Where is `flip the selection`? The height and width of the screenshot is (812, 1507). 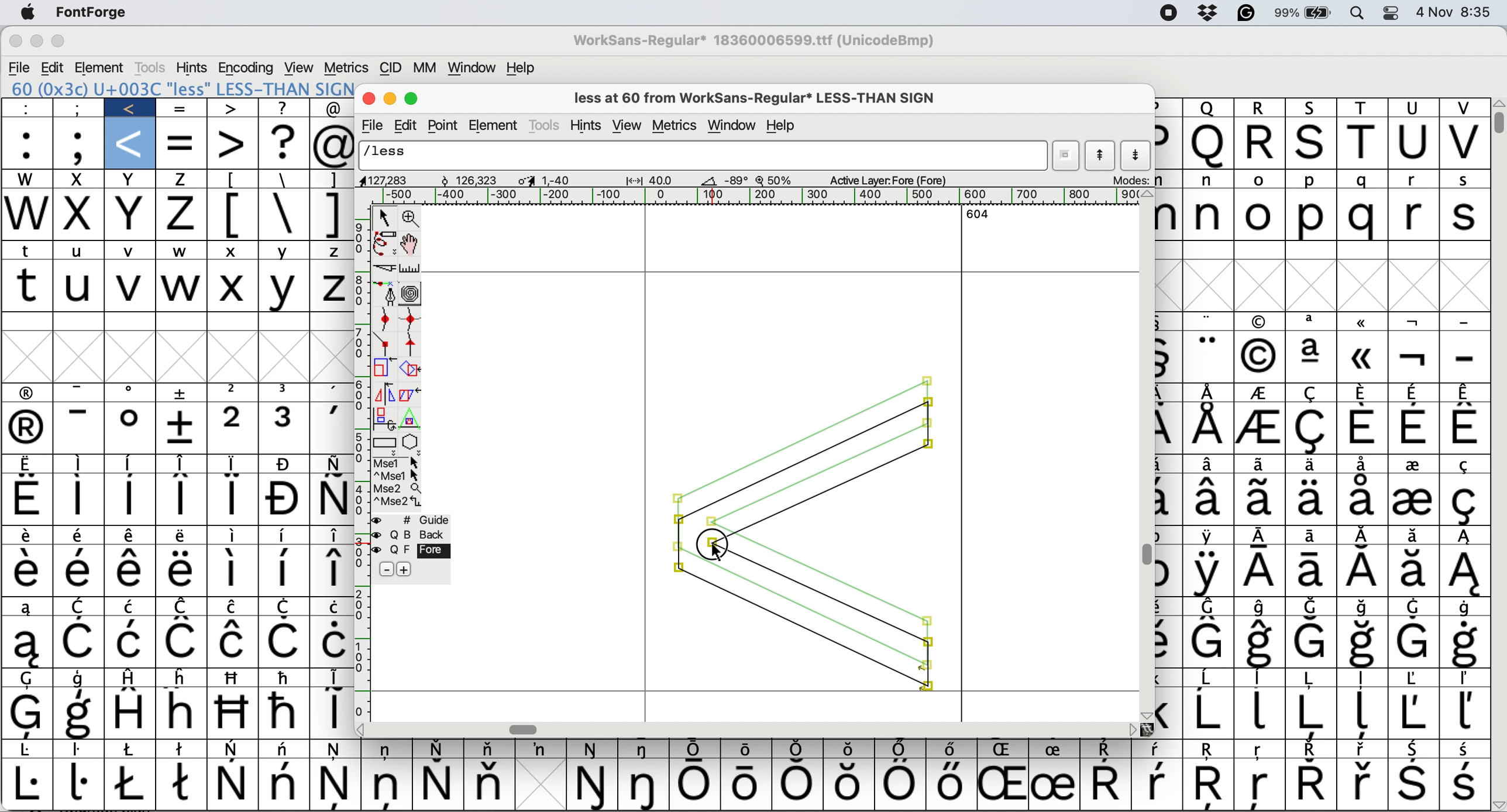
flip the selection is located at coordinates (384, 393).